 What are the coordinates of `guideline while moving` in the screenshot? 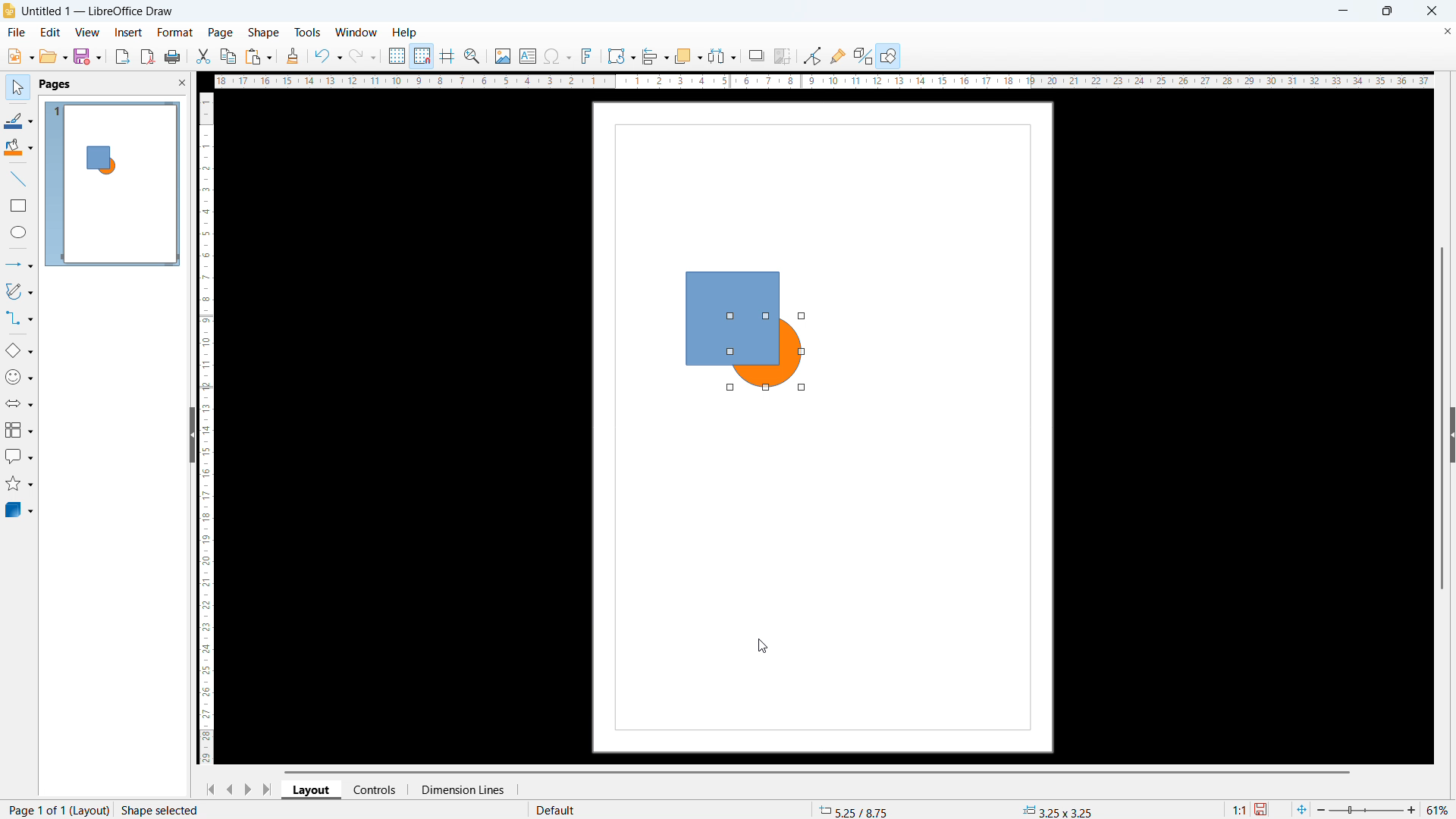 It's located at (447, 55).